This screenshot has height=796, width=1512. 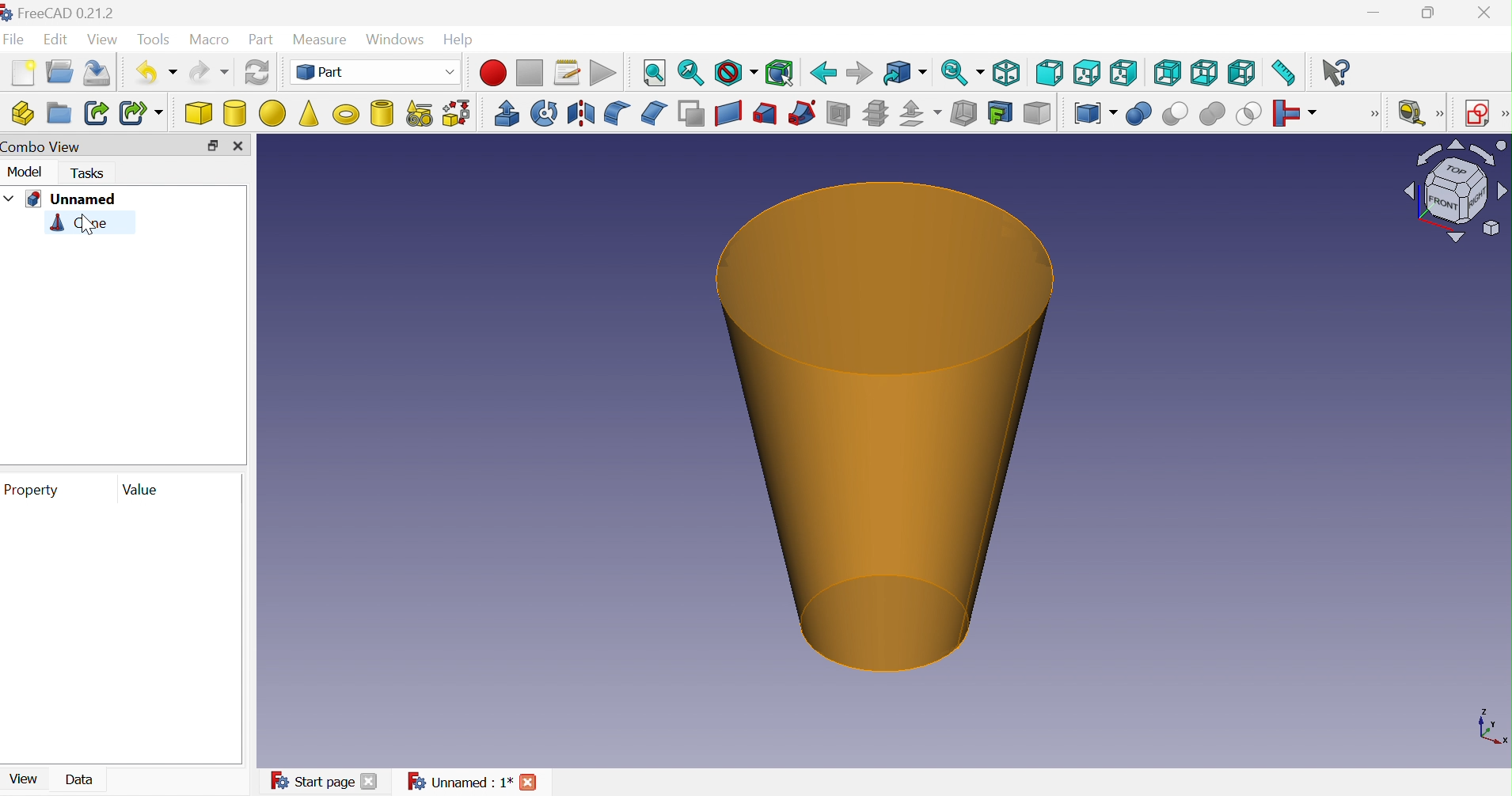 What do you see at coordinates (904, 74) in the screenshot?
I see `Go to linked object` at bounding box center [904, 74].